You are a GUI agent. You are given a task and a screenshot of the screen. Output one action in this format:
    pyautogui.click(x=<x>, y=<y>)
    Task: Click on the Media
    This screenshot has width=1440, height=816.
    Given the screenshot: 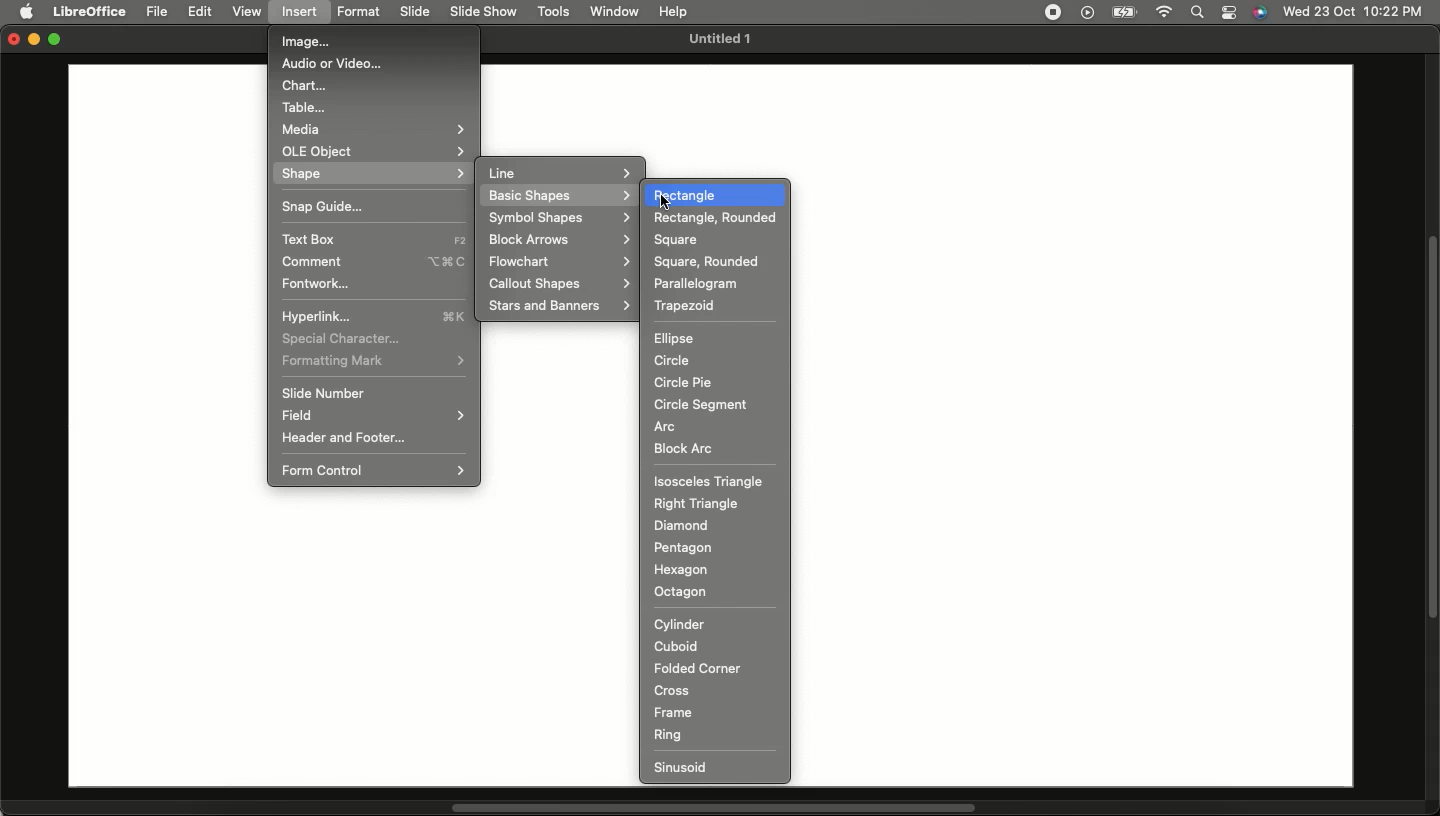 What is the action you would take?
    pyautogui.click(x=371, y=128)
    